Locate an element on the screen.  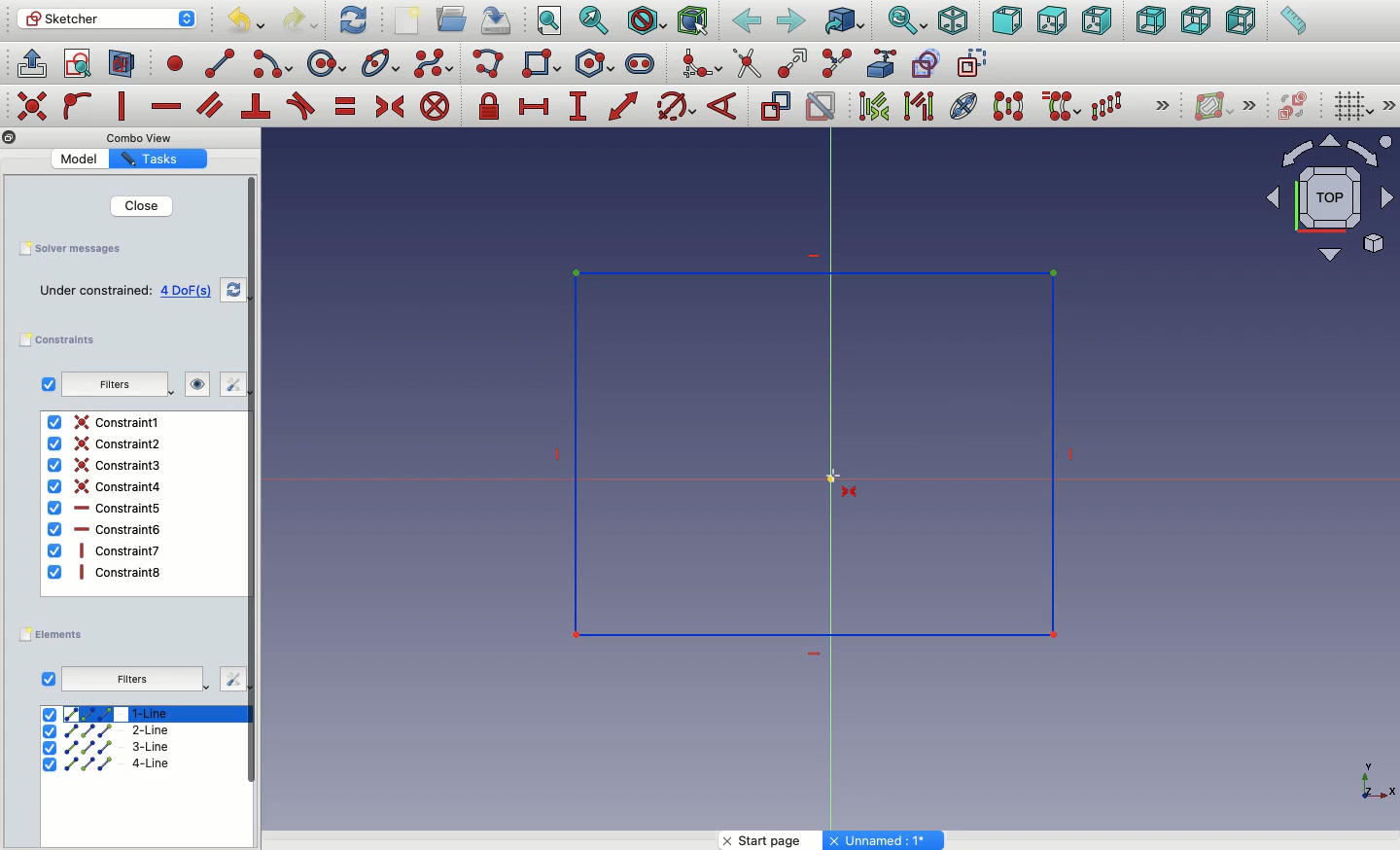
Switch virtual place is located at coordinates (1289, 108).